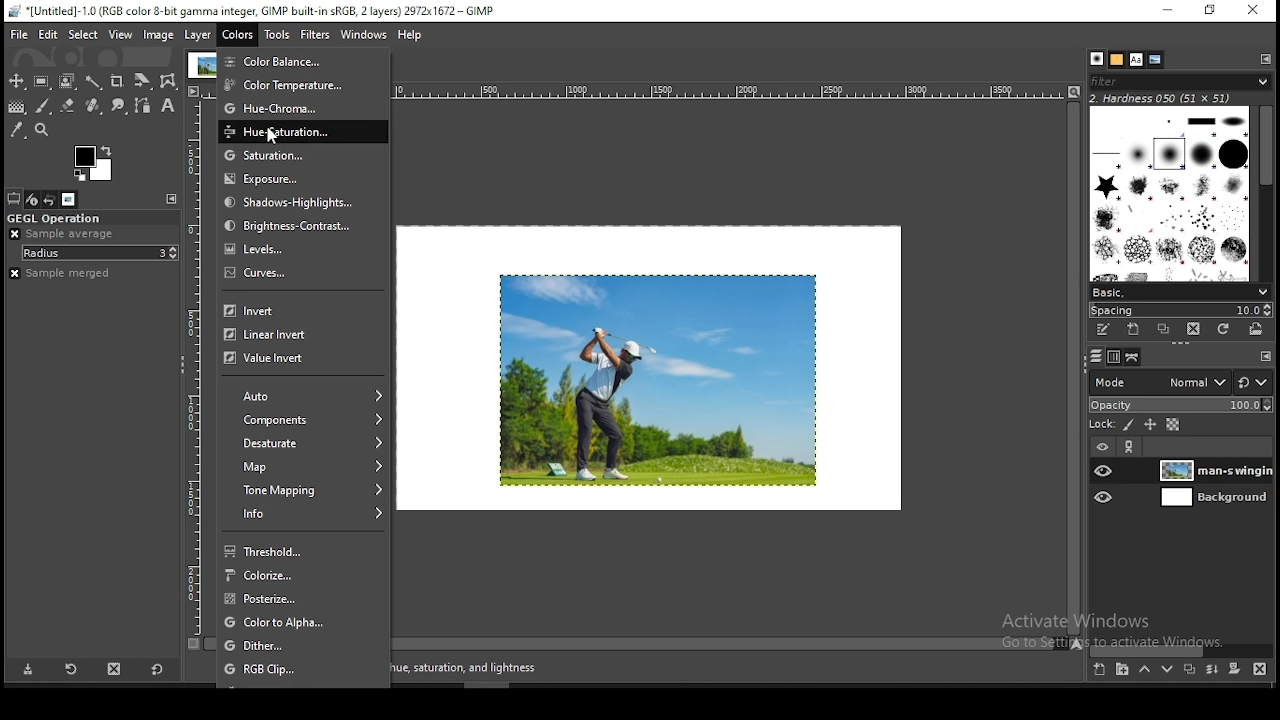 The width and height of the screenshot is (1280, 720). Describe the element at coordinates (1171, 10) in the screenshot. I see `minimize` at that location.